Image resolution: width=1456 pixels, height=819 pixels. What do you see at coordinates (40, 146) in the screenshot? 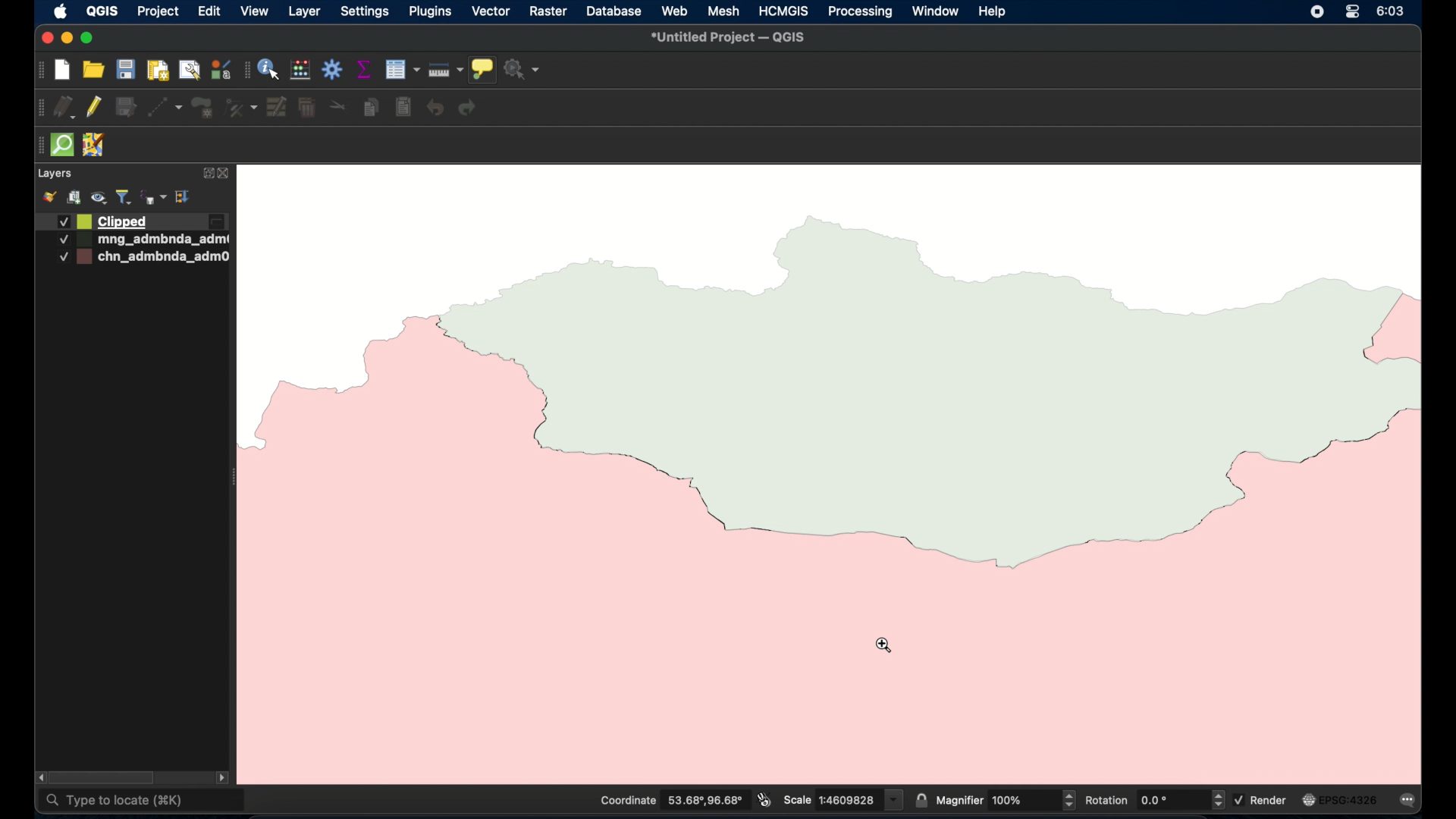
I see `drag handle` at bounding box center [40, 146].